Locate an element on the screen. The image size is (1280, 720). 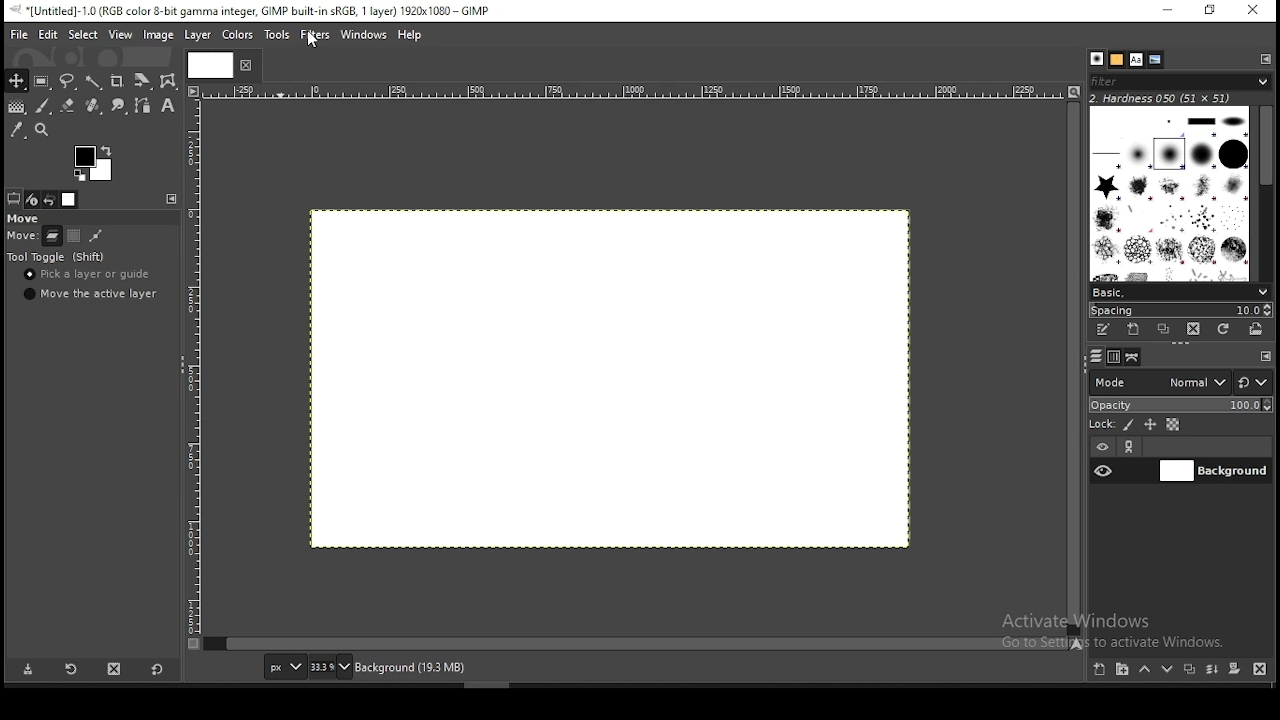
move tool is located at coordinates (16, 80).